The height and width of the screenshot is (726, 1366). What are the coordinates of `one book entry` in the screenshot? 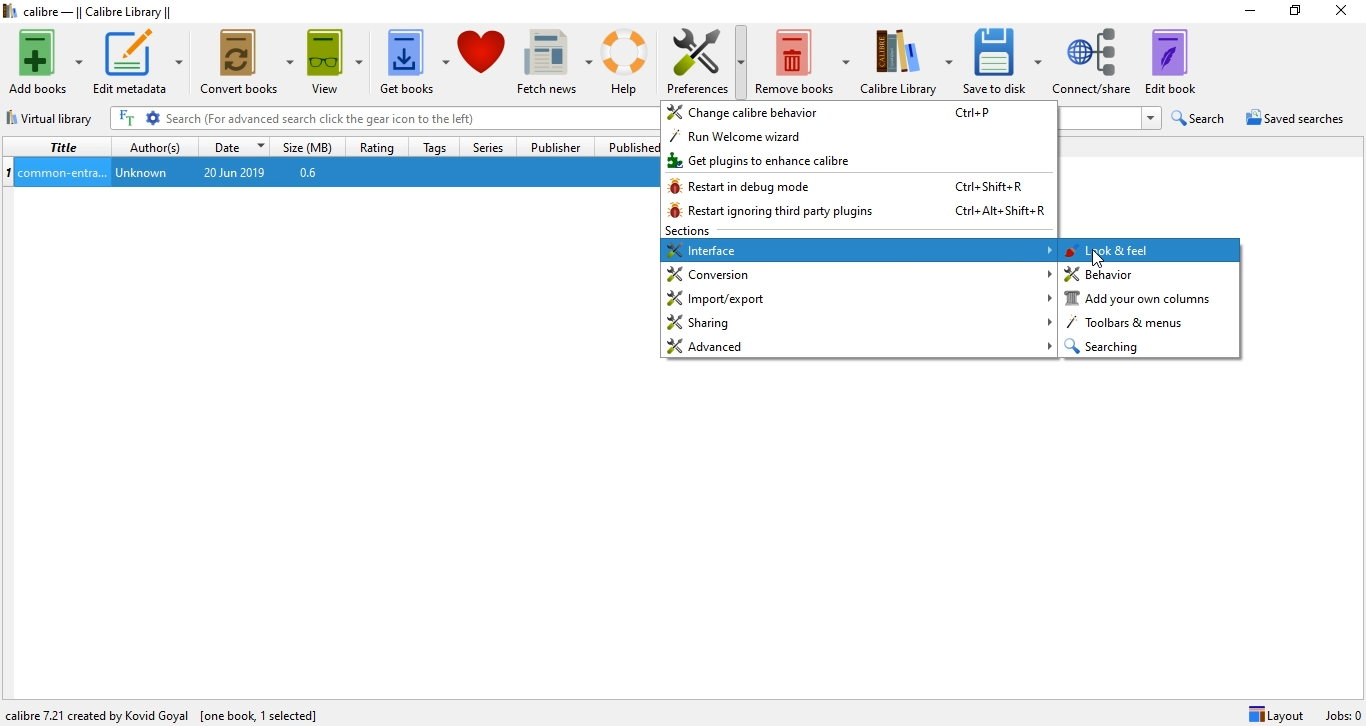 It's located at (330, 173).